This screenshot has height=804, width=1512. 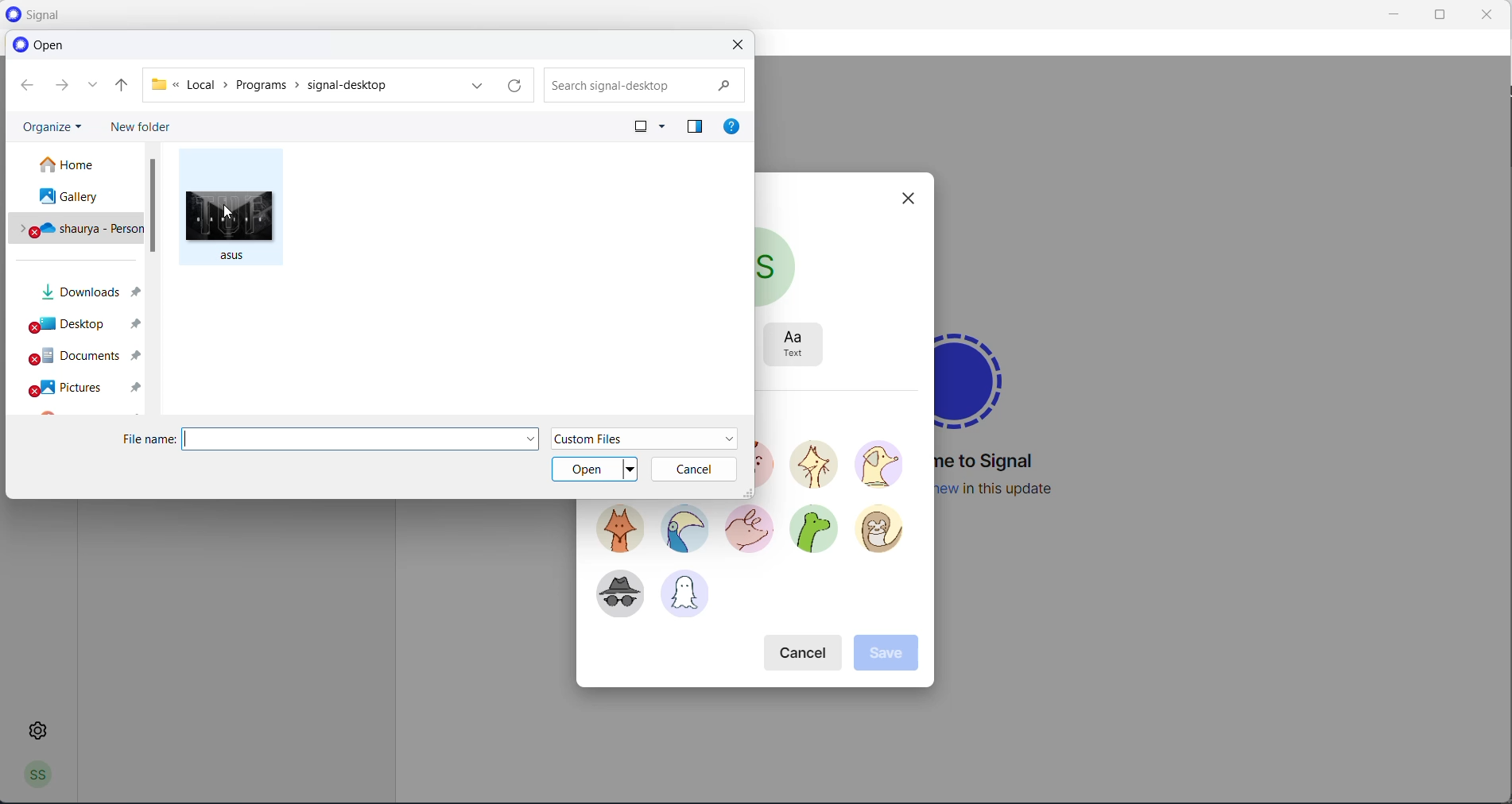 I want to click on avatar, so click(x=613, y=592).